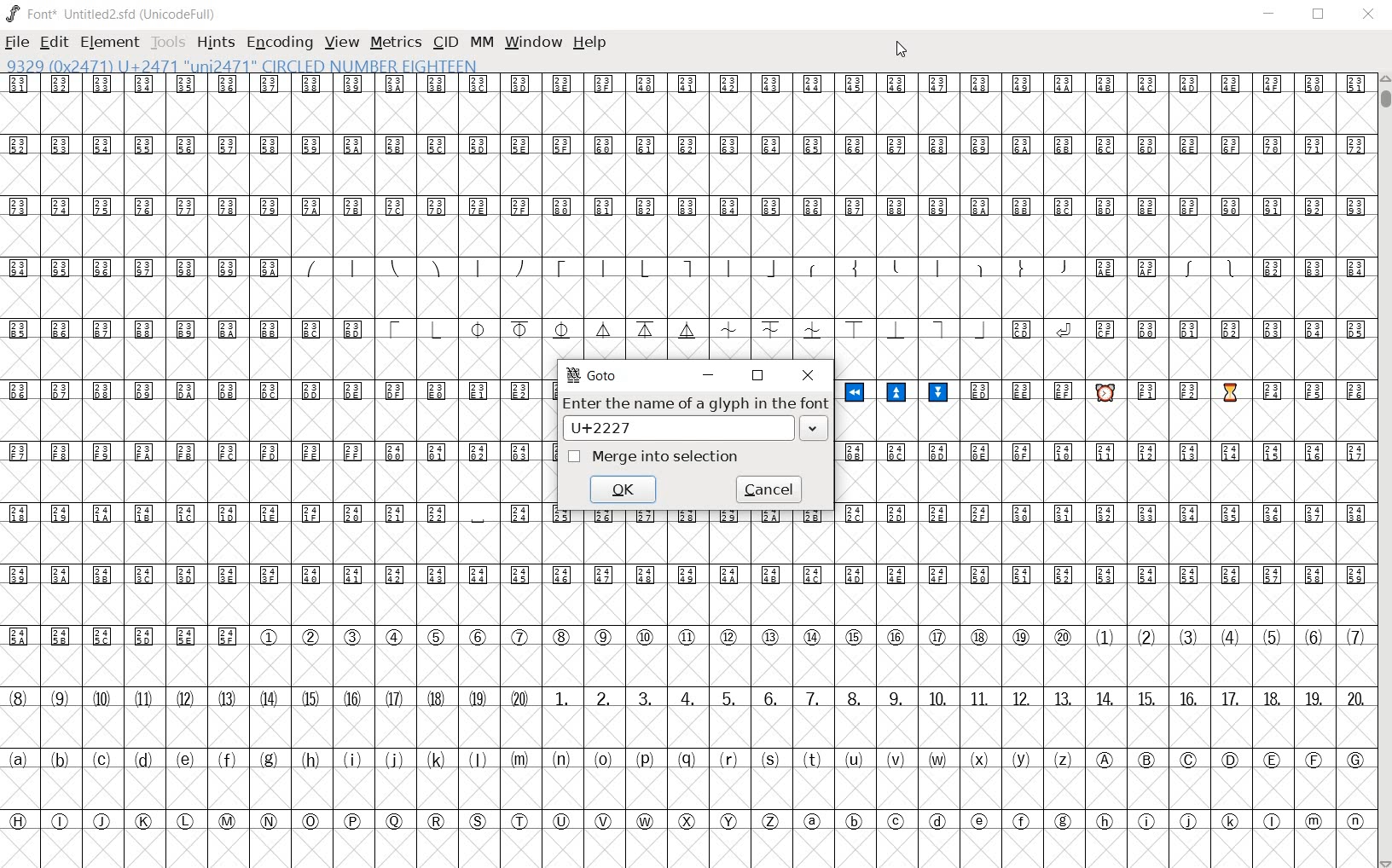 The height and width of the screenshot is (868, 1392). What do you see at coordinates (532, 42) in the screenshot?
I see `window` at bounding box center [532, 42].